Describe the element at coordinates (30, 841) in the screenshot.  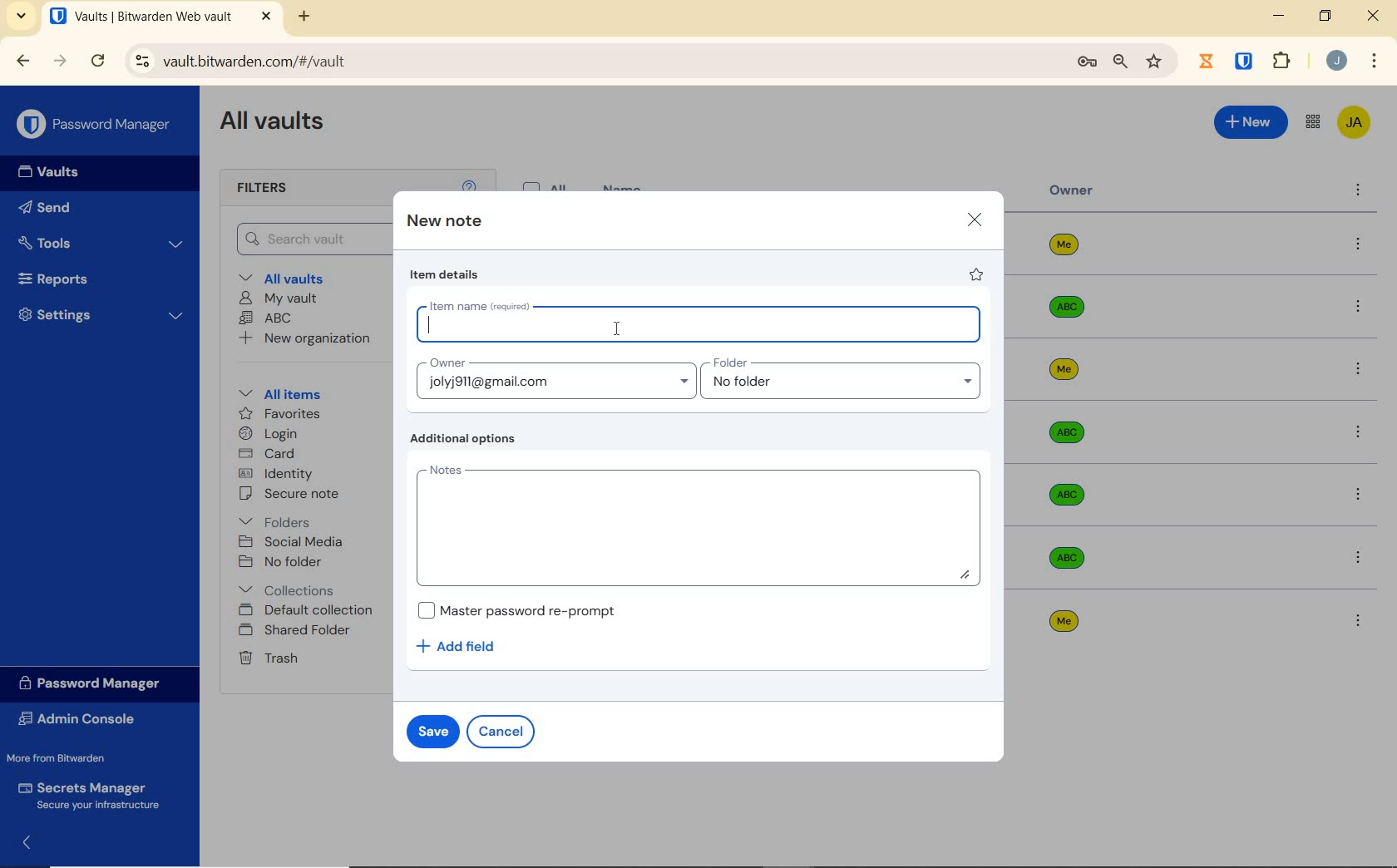
I see `expand/collapse` at that location.